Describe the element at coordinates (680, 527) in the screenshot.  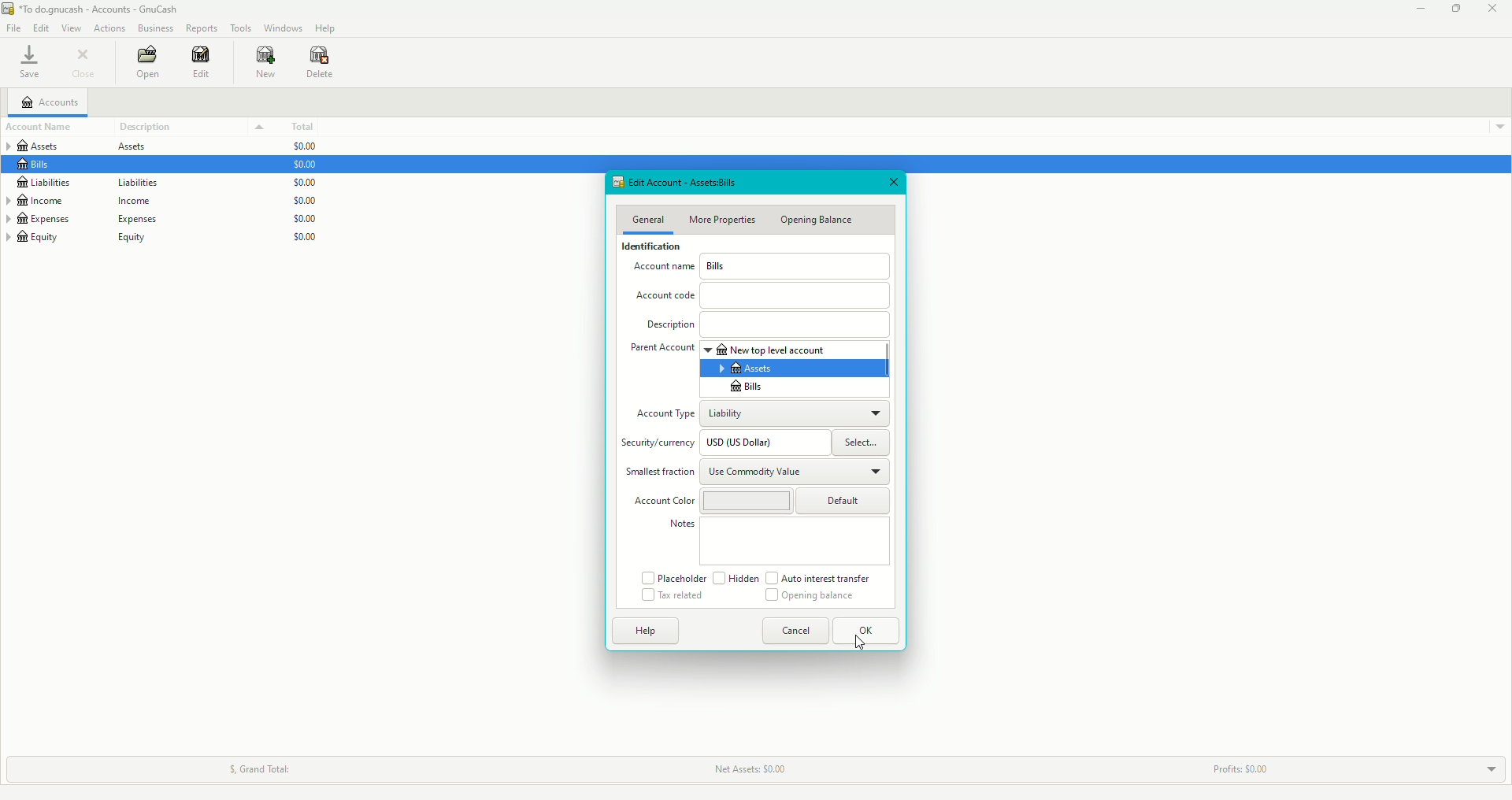
I see `Notes` at that location.